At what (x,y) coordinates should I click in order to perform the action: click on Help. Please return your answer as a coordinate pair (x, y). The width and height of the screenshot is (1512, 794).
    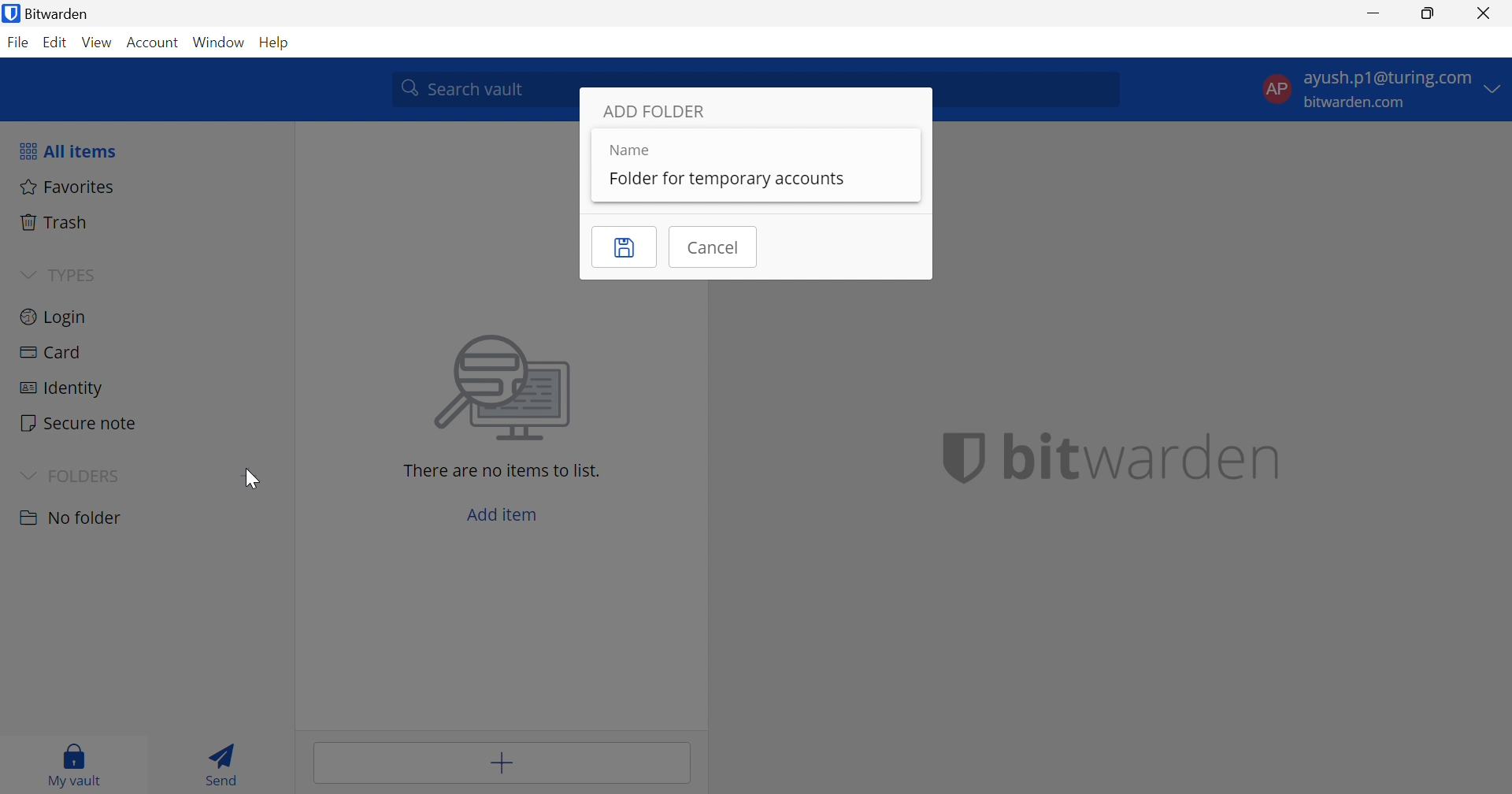
    Looking at the image, I should click on (272, 41).